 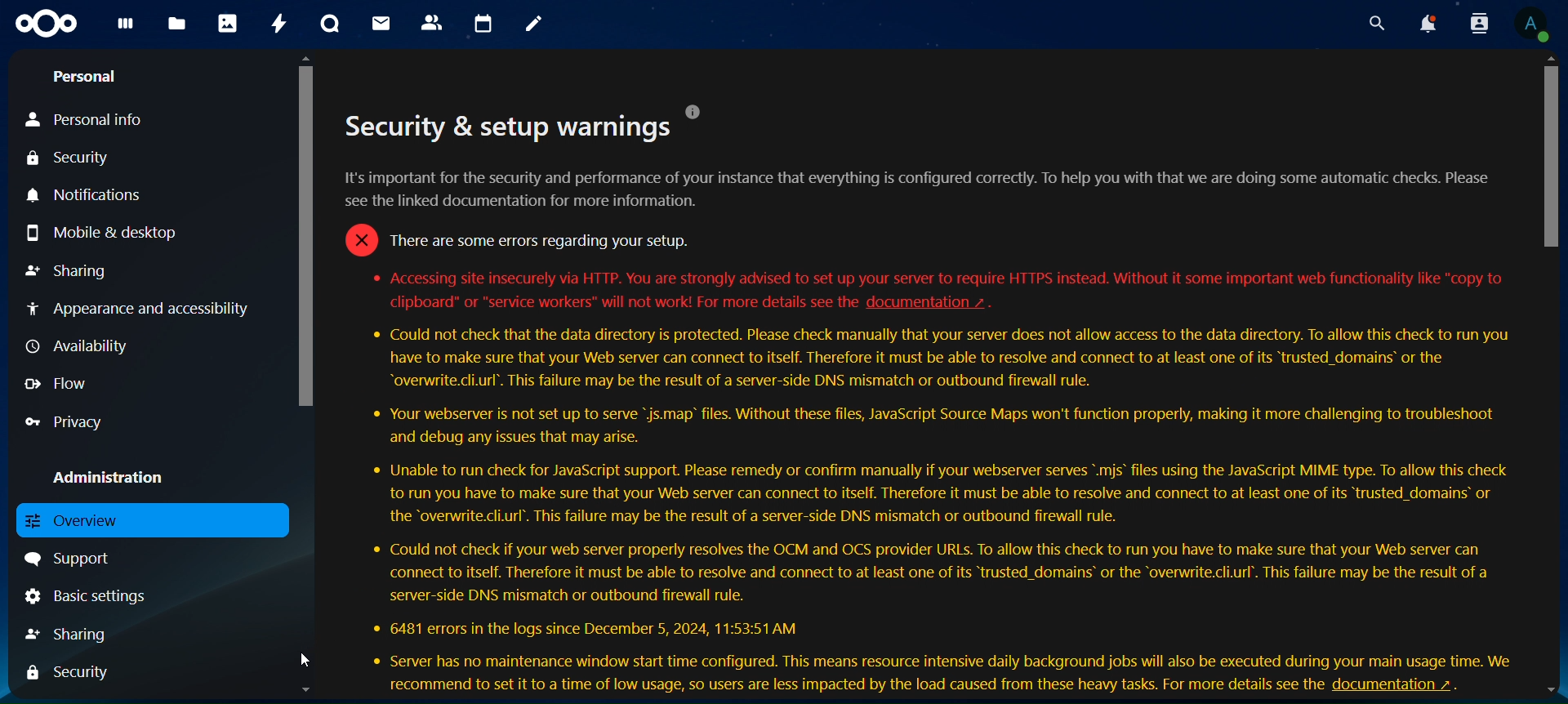 What do you see at coordinates (128, 28) in the screenshot?
I see `dashboard` at bounding box center [128, 28].